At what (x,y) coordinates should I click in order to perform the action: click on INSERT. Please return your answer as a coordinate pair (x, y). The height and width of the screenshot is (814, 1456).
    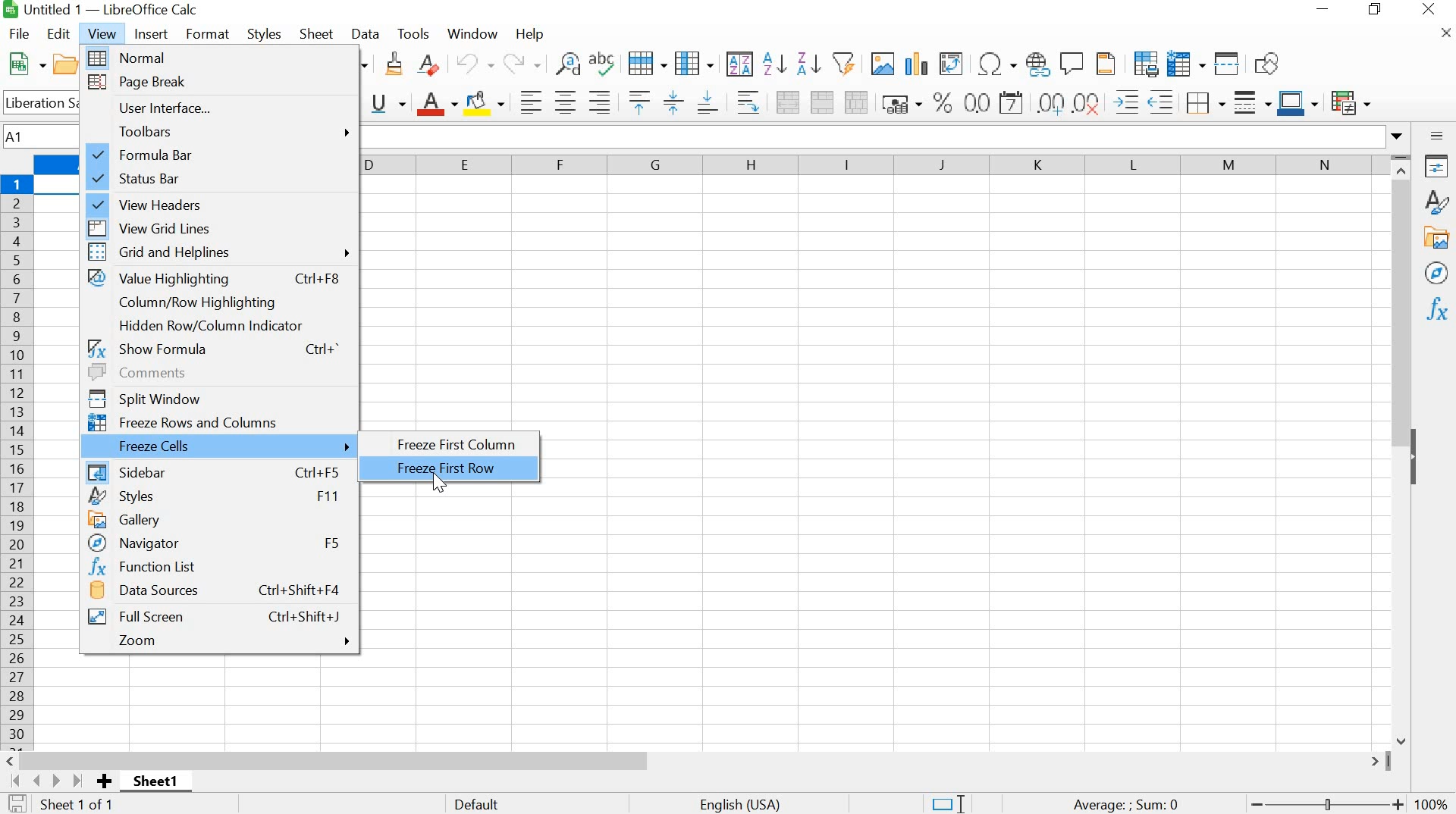
    Looking at the image, I should click on (152, 34).